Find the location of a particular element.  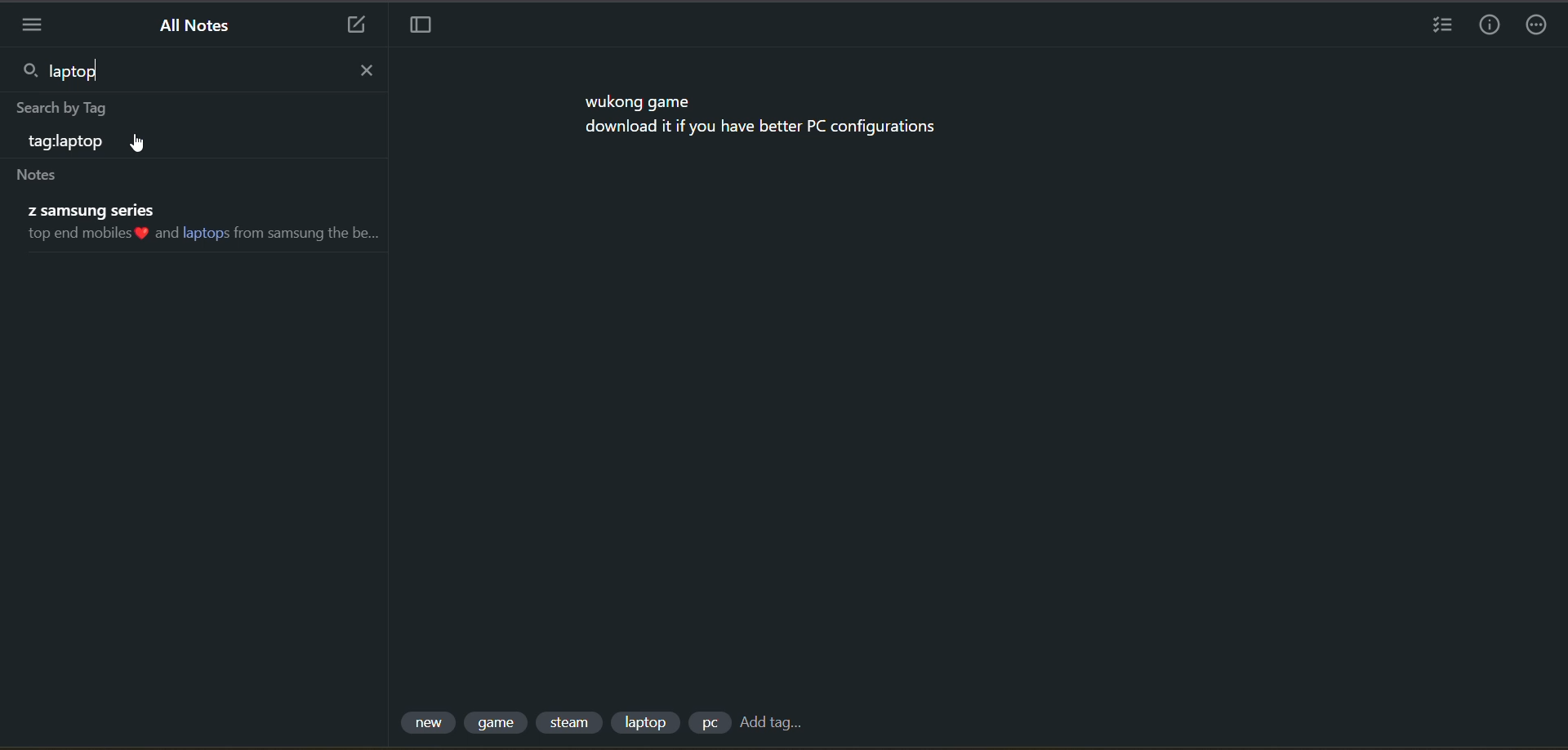

tag 3 is located at coordinates (572, 721).